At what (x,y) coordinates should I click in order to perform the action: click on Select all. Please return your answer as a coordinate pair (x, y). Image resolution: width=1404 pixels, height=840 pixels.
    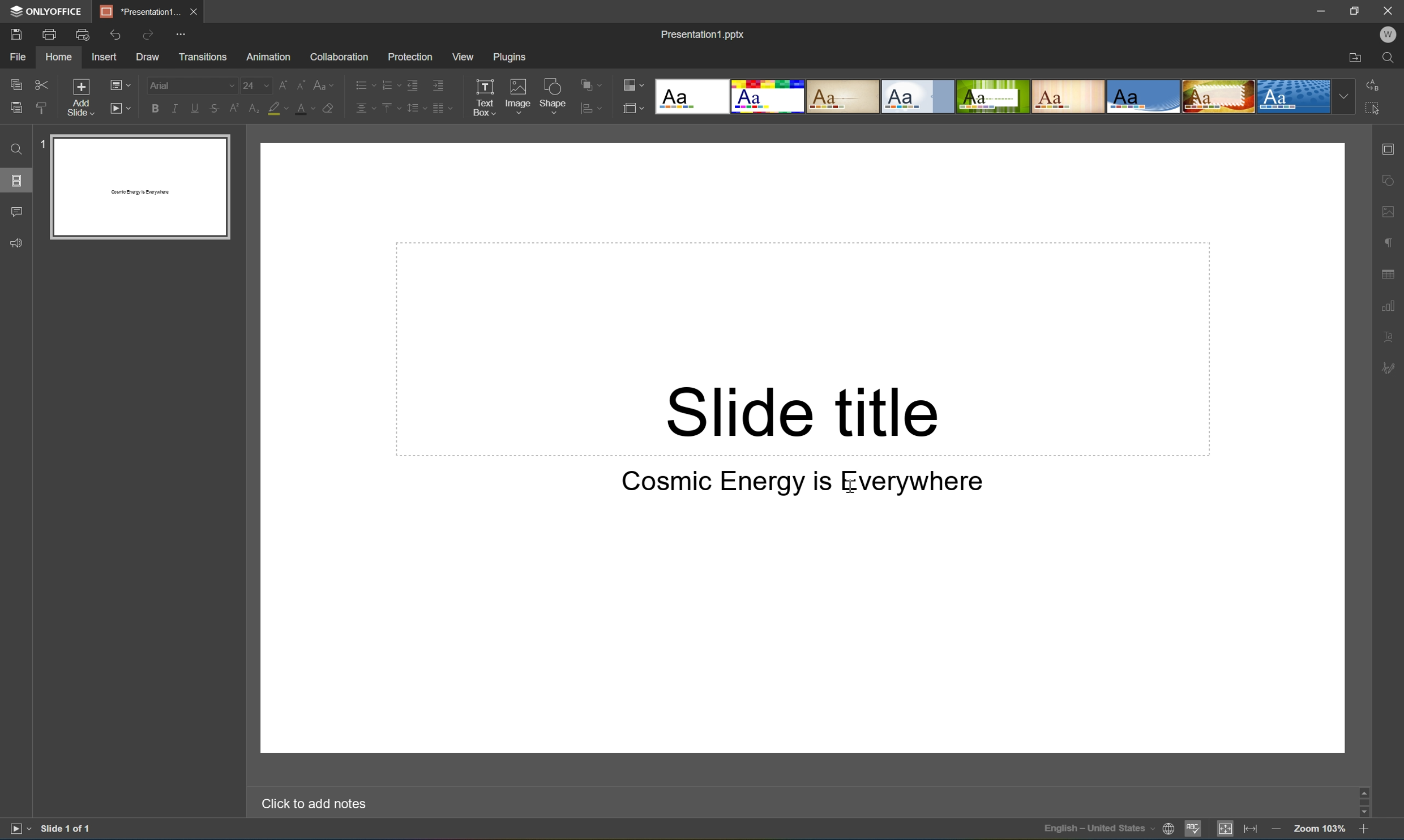
    Looking at the image, I should click on (1373, 106).